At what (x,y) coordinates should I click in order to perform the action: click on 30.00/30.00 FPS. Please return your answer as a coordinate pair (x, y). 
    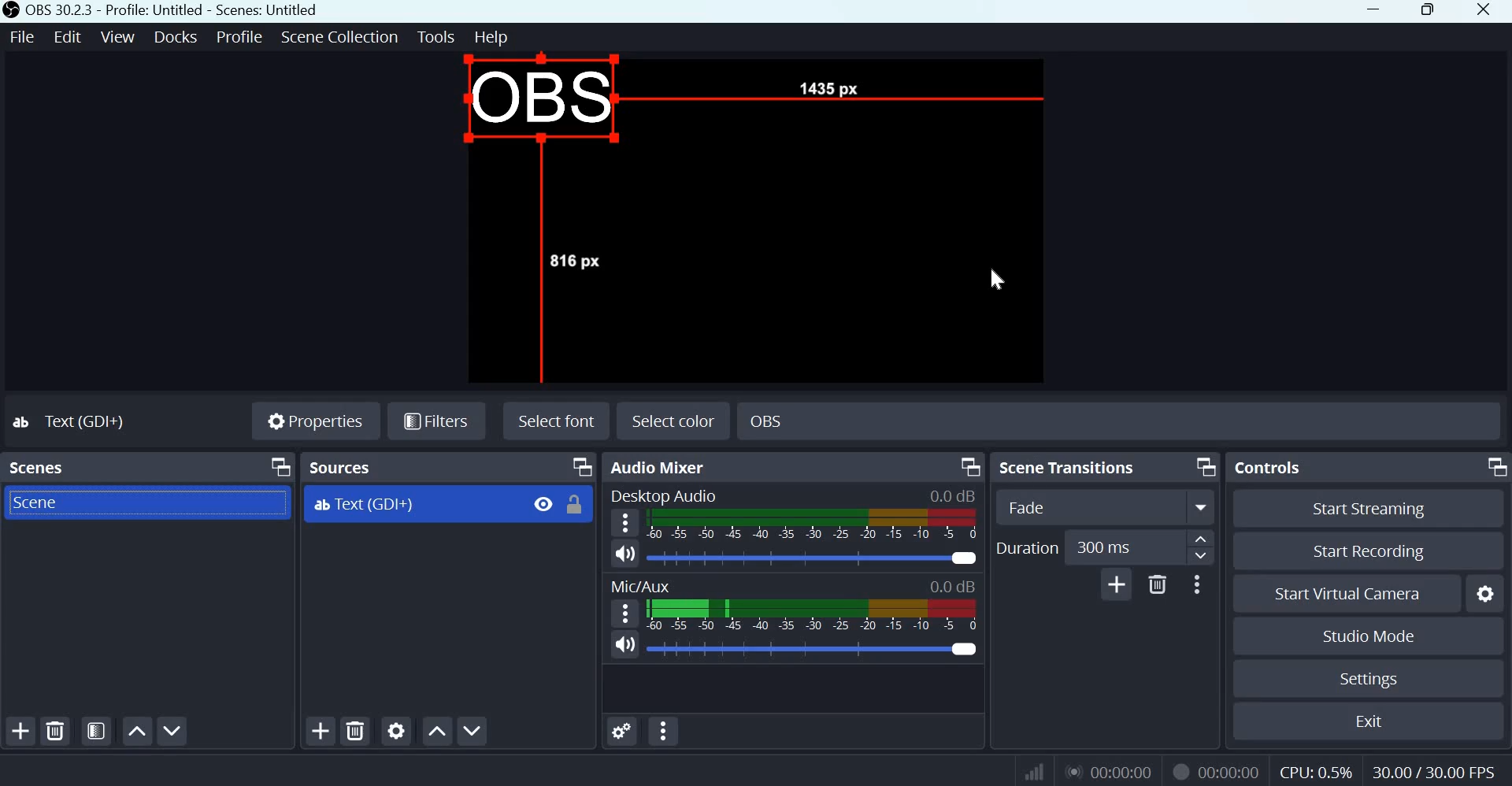
    Looking at the image, I should click on (1432, 771).